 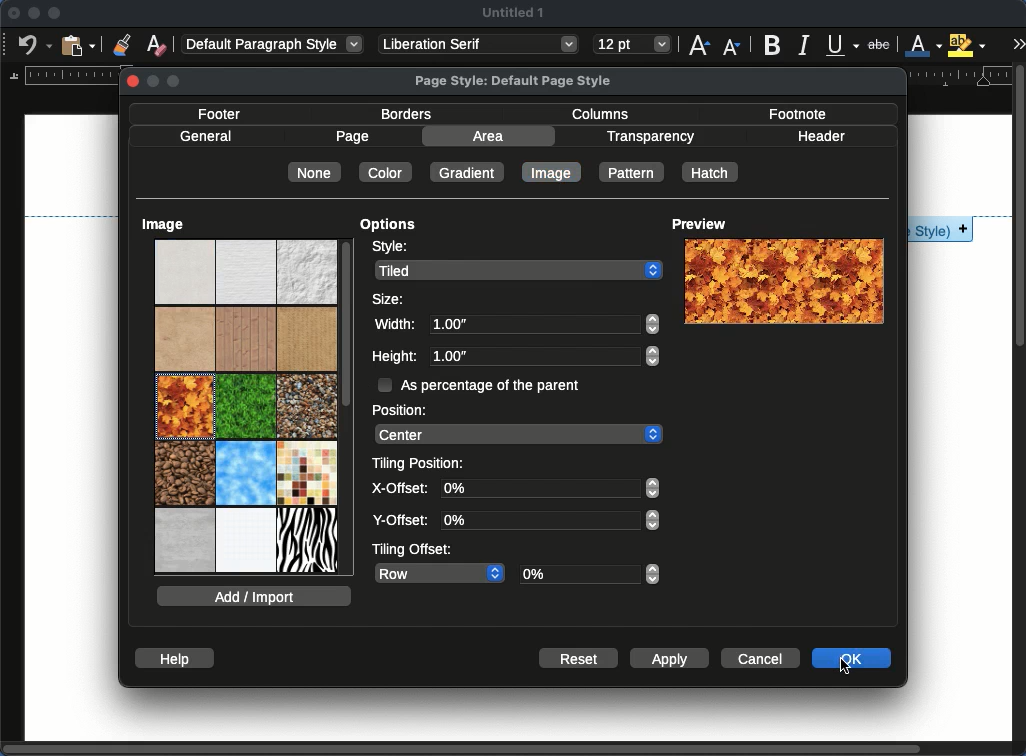 What do you see at coordinates (135, 82) in the screenshot?
I see `Close` at bounding box center [135, 82].